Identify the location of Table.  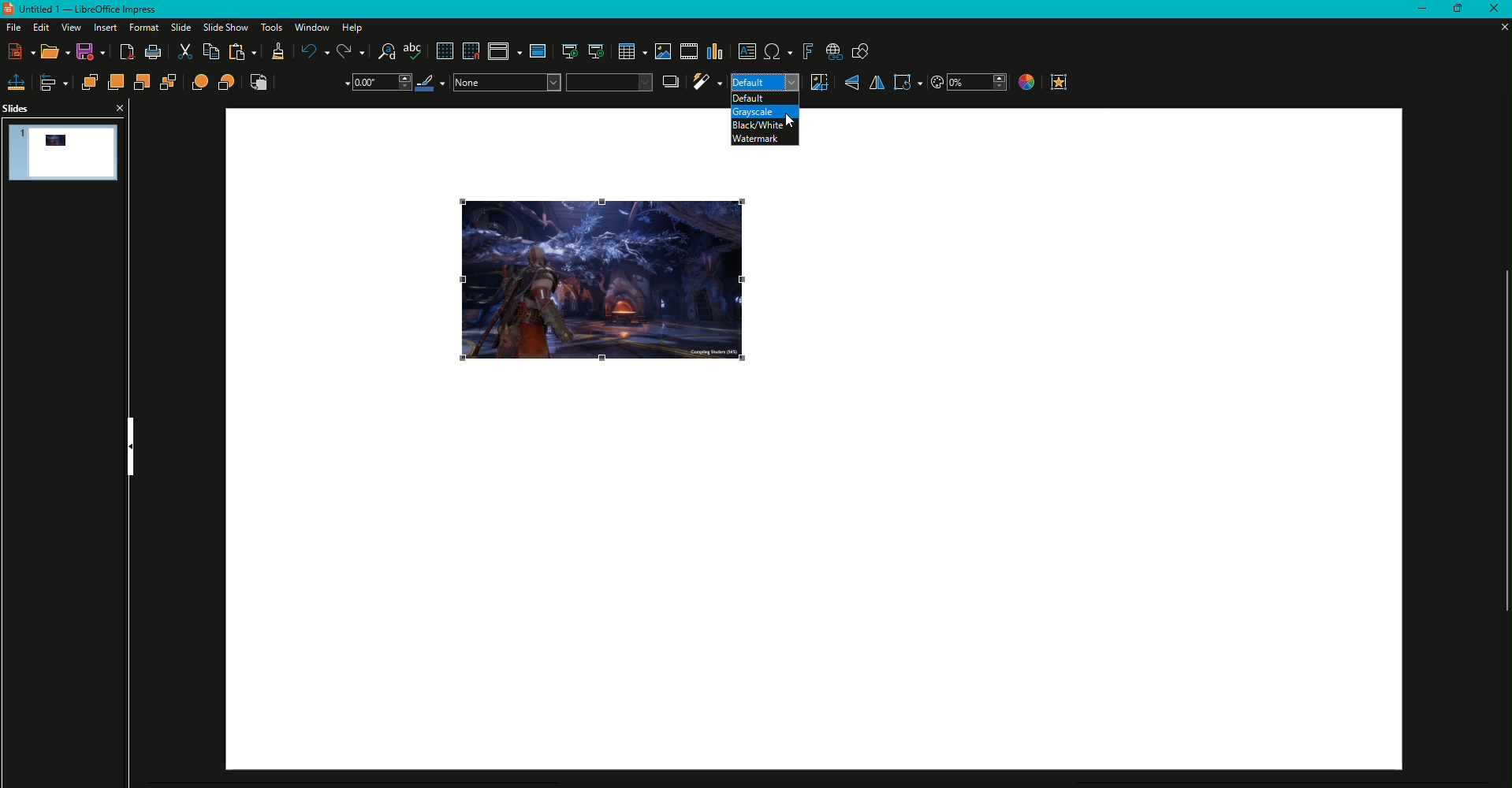
(631, 52).